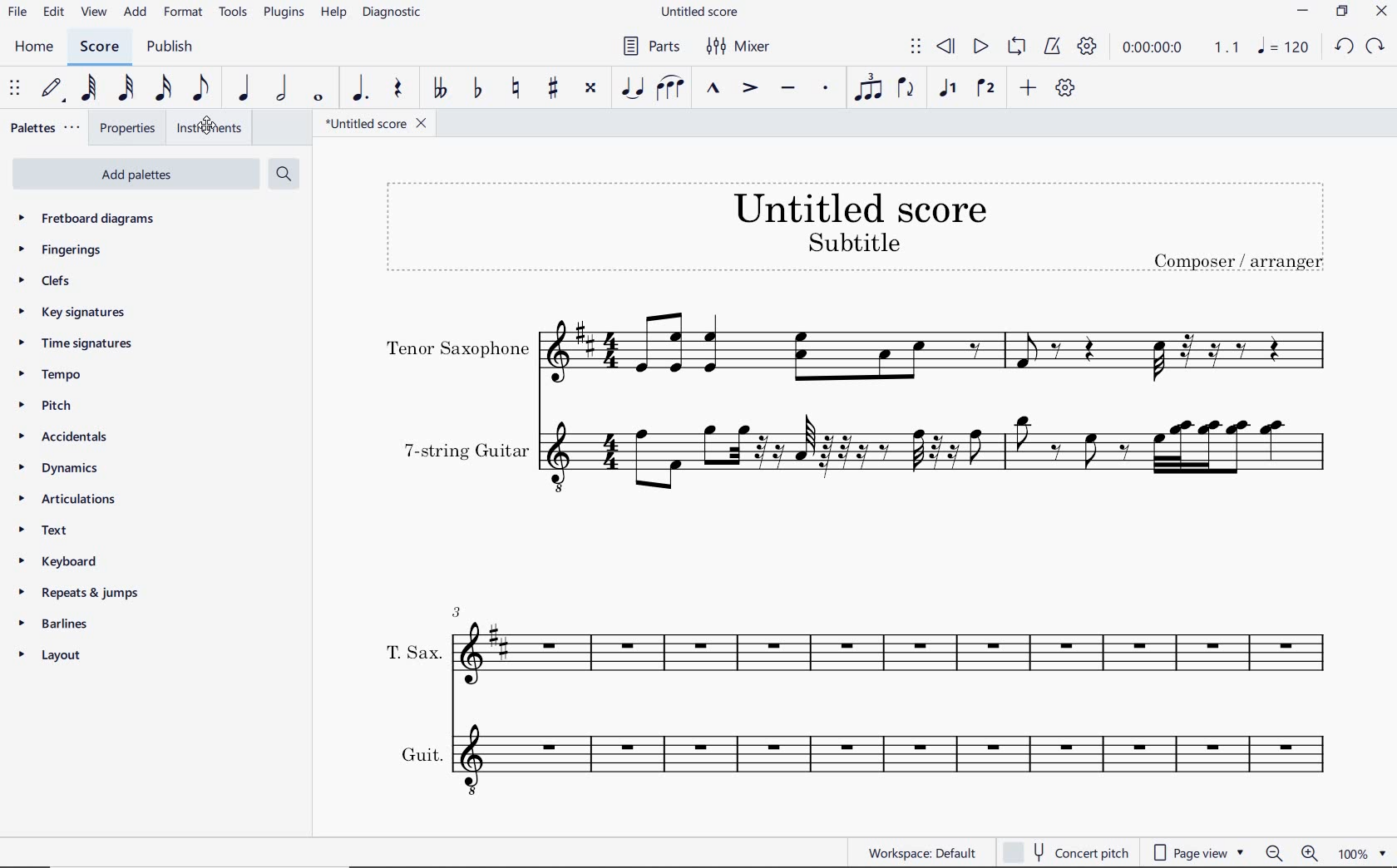 Image resolution: width=1397 pixels, height=868 pixels. Describe the element at coordinates (437, 88) in the screenshot. I see `TOGGLE-DOUBLE FLAT` at that location.